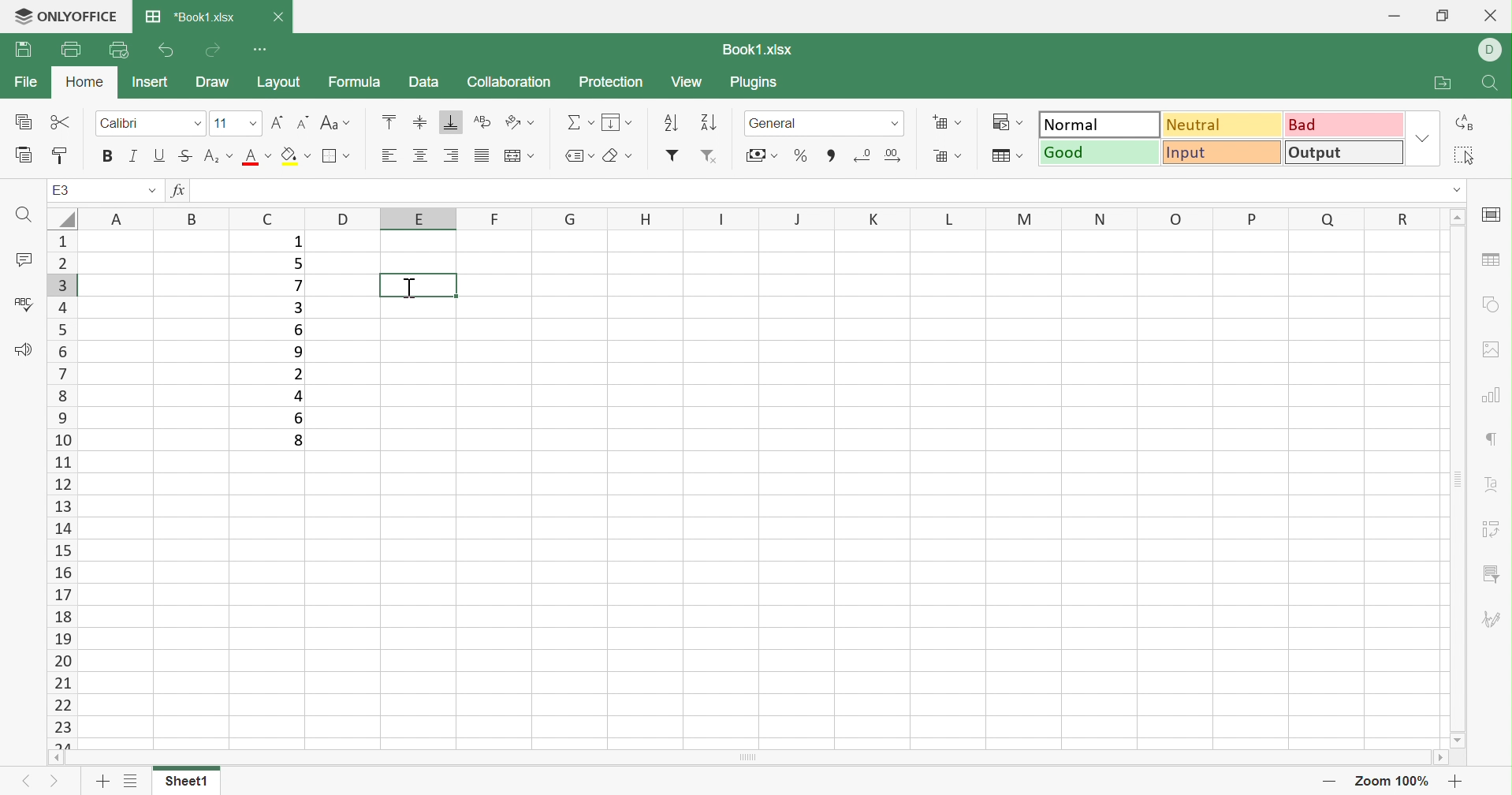  What do you see at coordinates (102, 783) in the screenshot?
I see `Add sheet` at bounding box center [102, 783].